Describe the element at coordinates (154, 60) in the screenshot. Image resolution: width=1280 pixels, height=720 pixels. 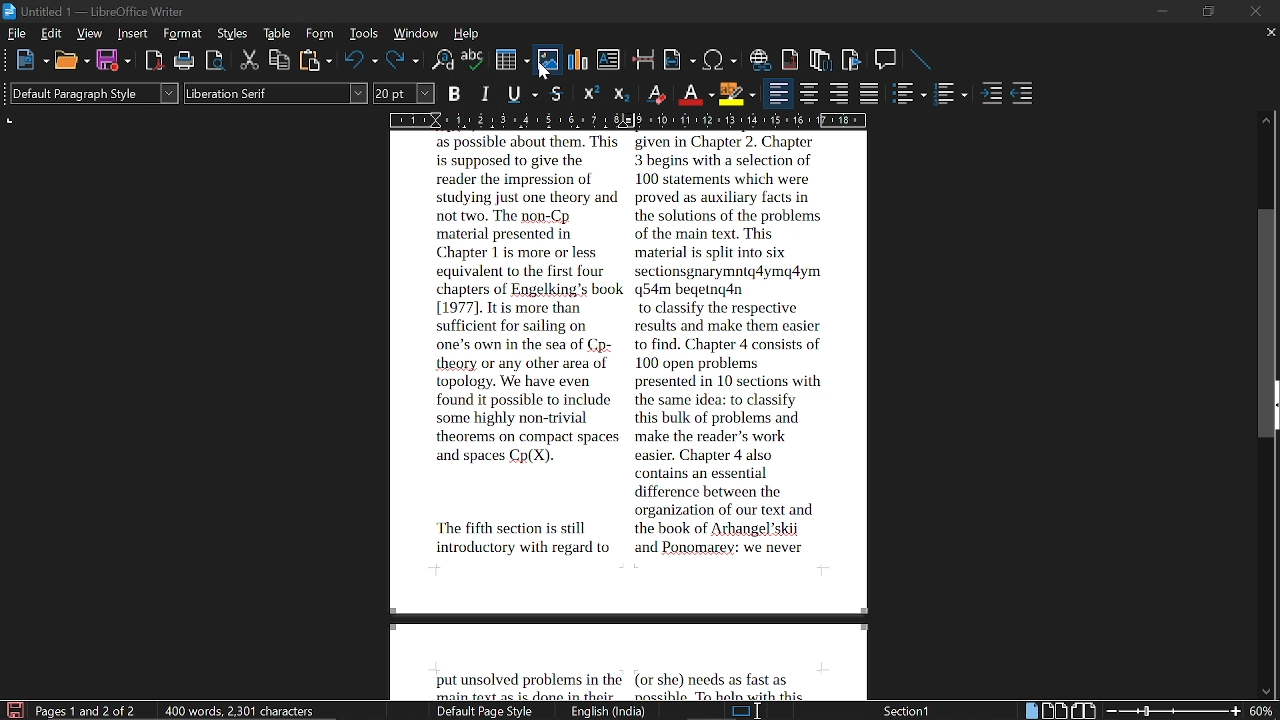
I see `export as pdf` at that location.